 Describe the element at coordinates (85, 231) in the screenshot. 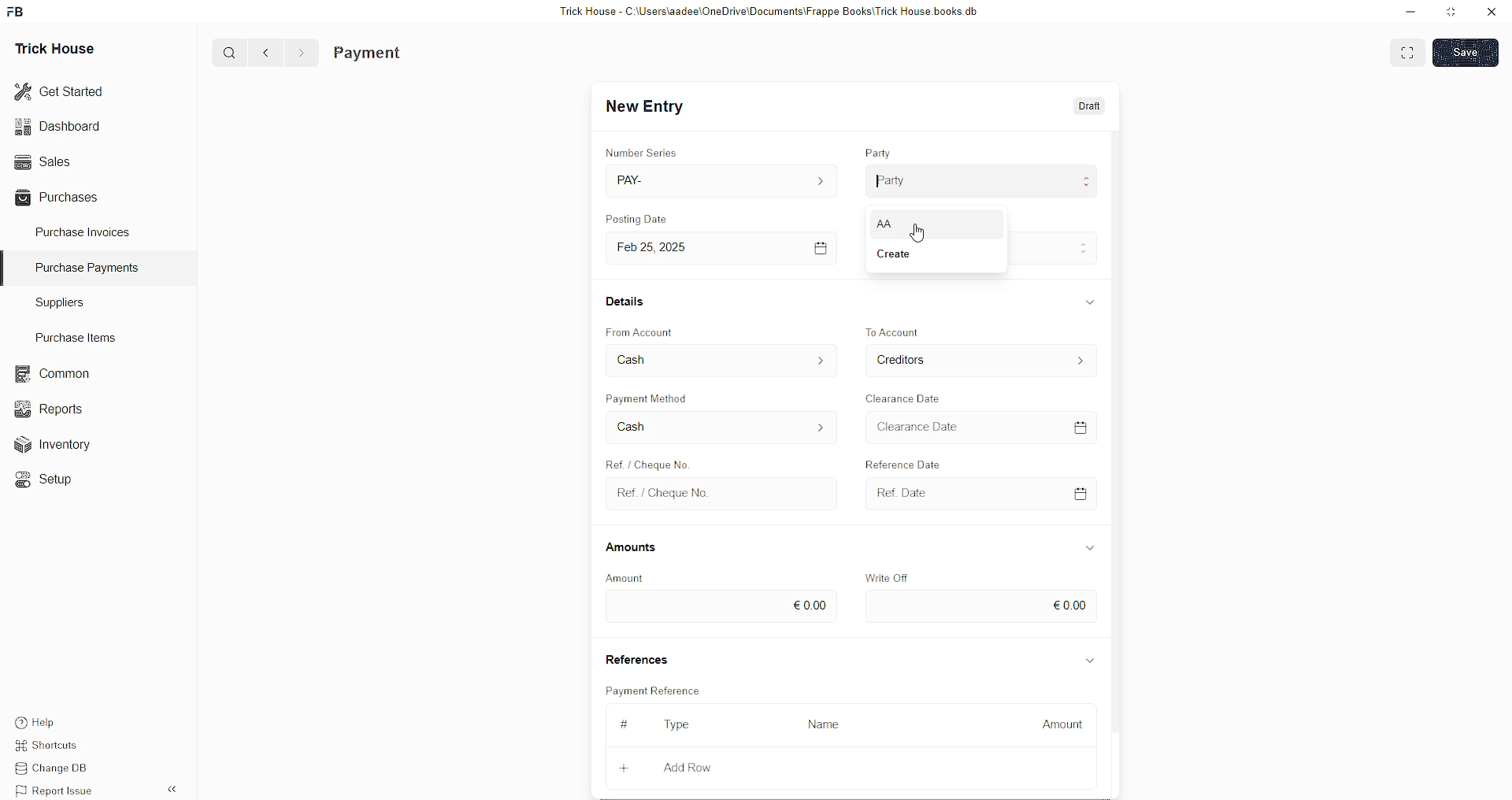

I see `Purchase Invoices` at that location.